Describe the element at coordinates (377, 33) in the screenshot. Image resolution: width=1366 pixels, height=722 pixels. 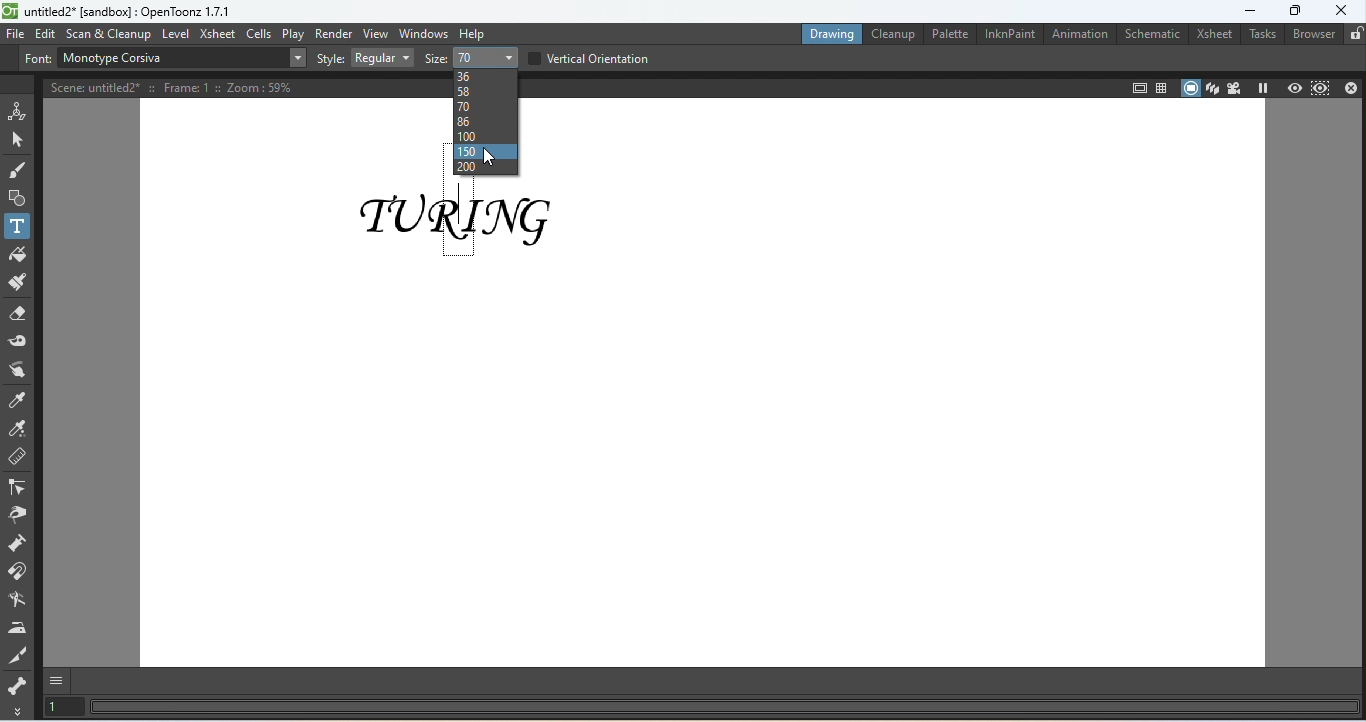
I see `View` at that location.